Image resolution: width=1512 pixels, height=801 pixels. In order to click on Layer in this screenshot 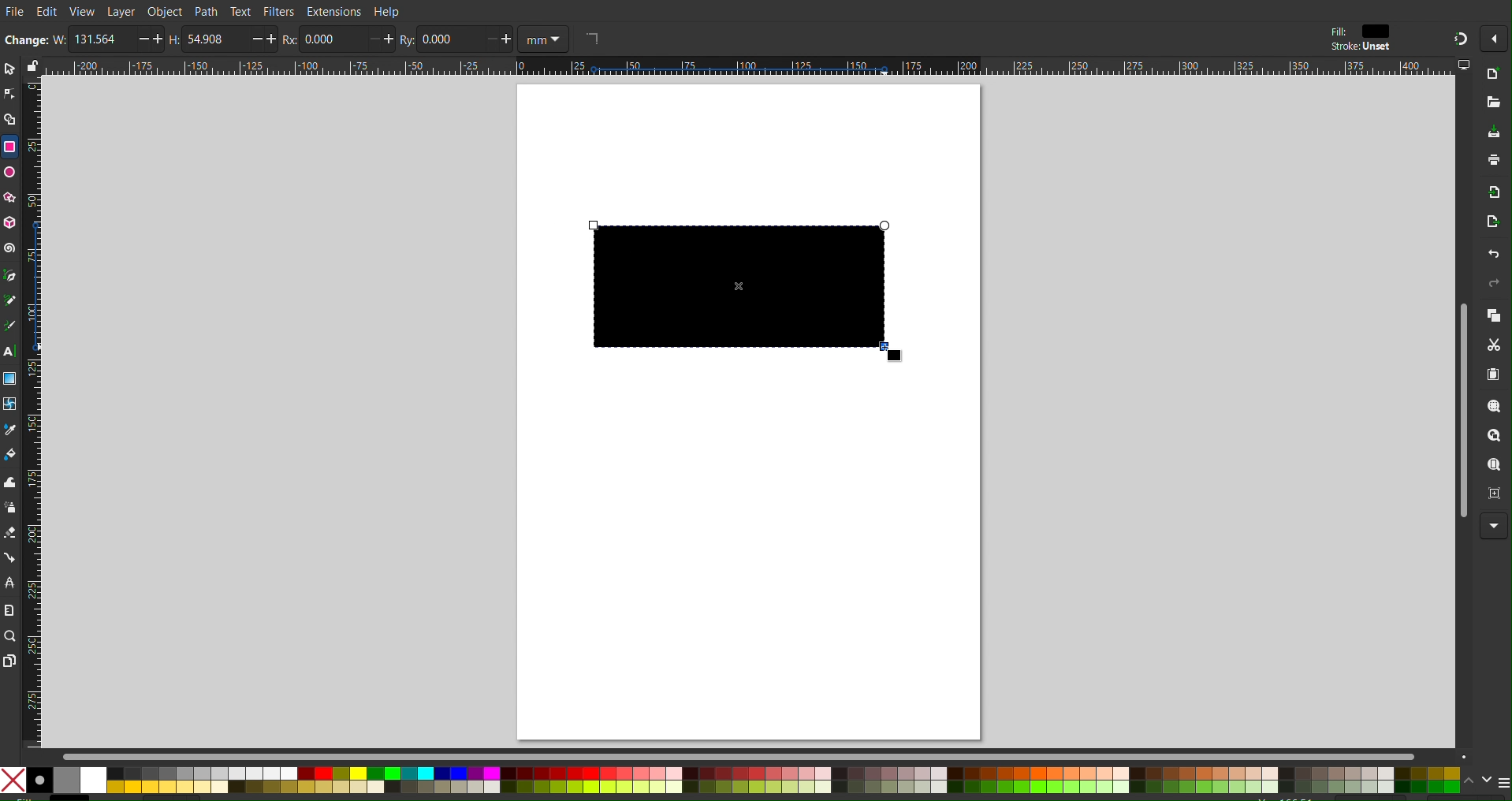, I will do `click(120, 10)`.